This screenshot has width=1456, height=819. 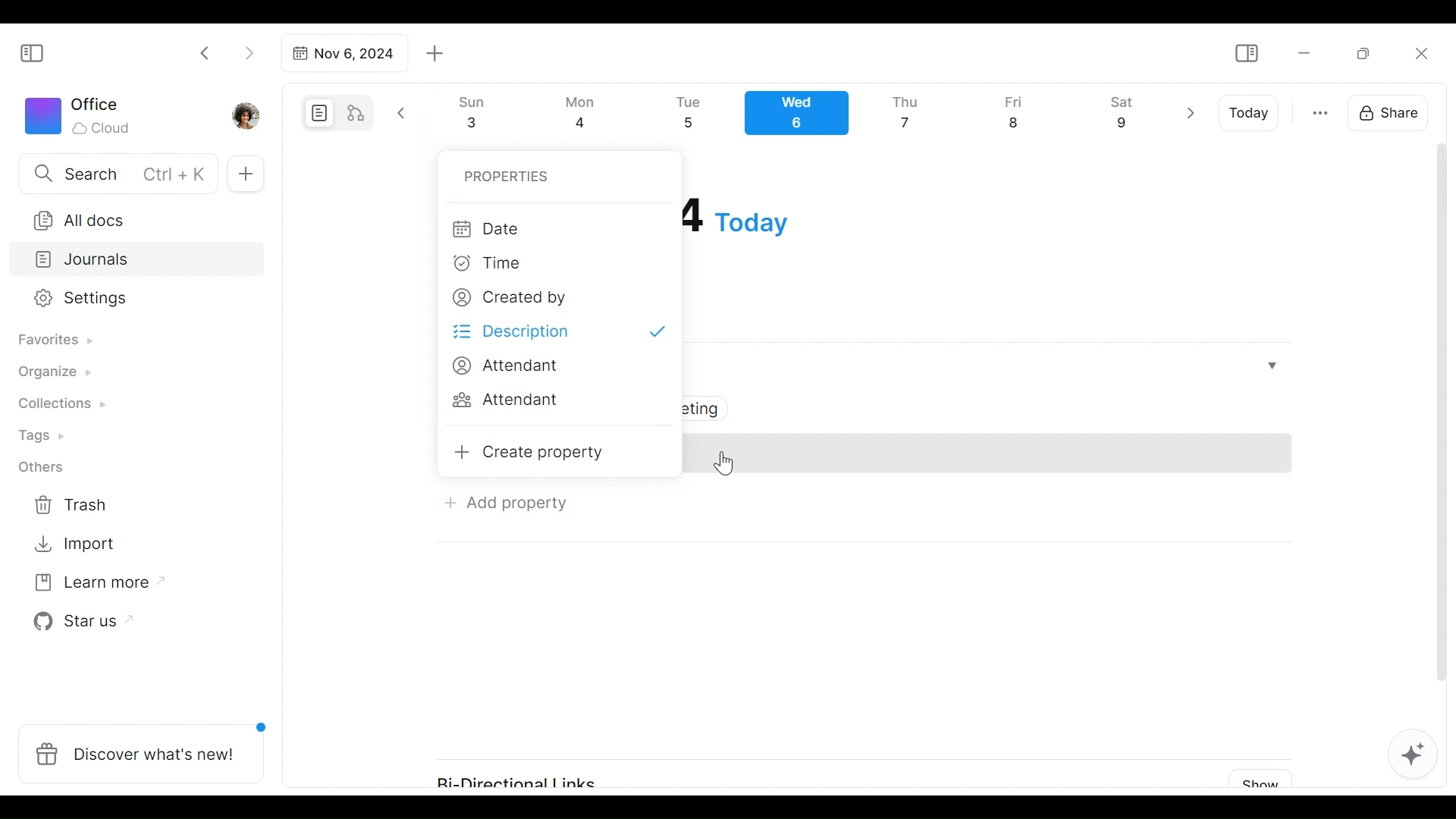 What do you see at coordinates (342, 53) in the screenshot?
I see `Tab` at bounding box center [342, 53].